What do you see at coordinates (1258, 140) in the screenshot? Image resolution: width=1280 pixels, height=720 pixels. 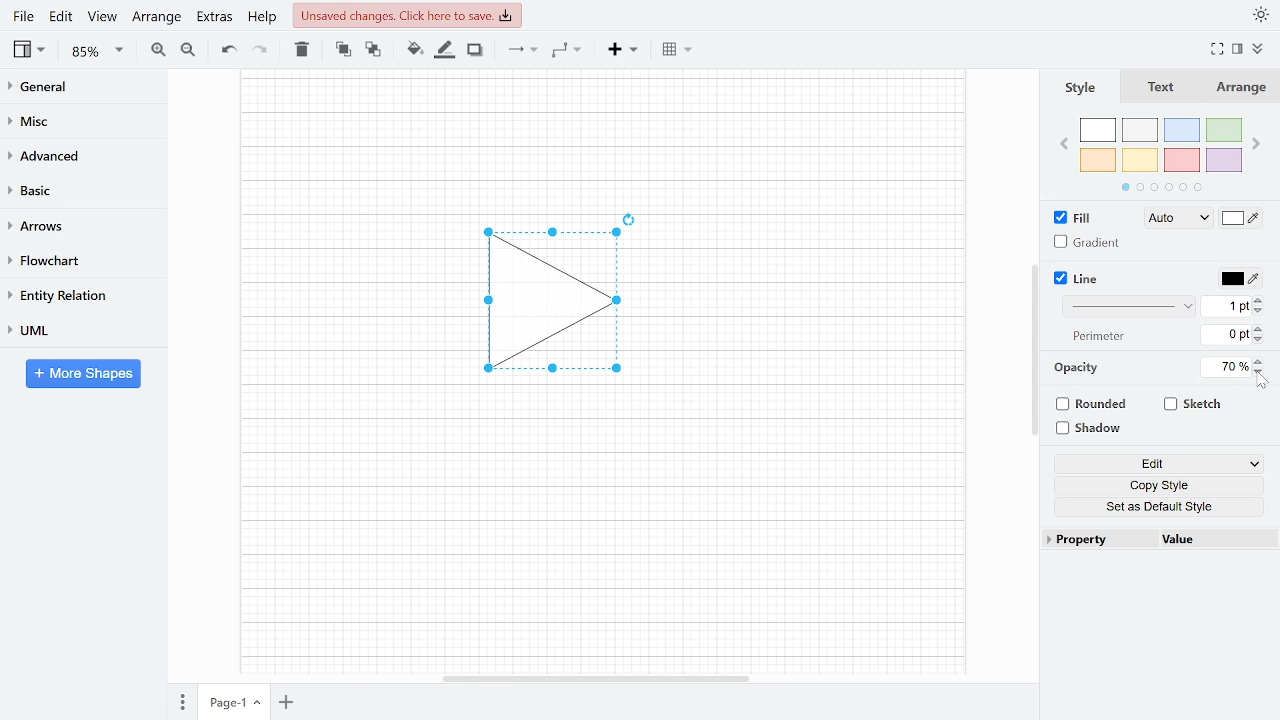 I see `Next` at bounding box center [1258, 140].